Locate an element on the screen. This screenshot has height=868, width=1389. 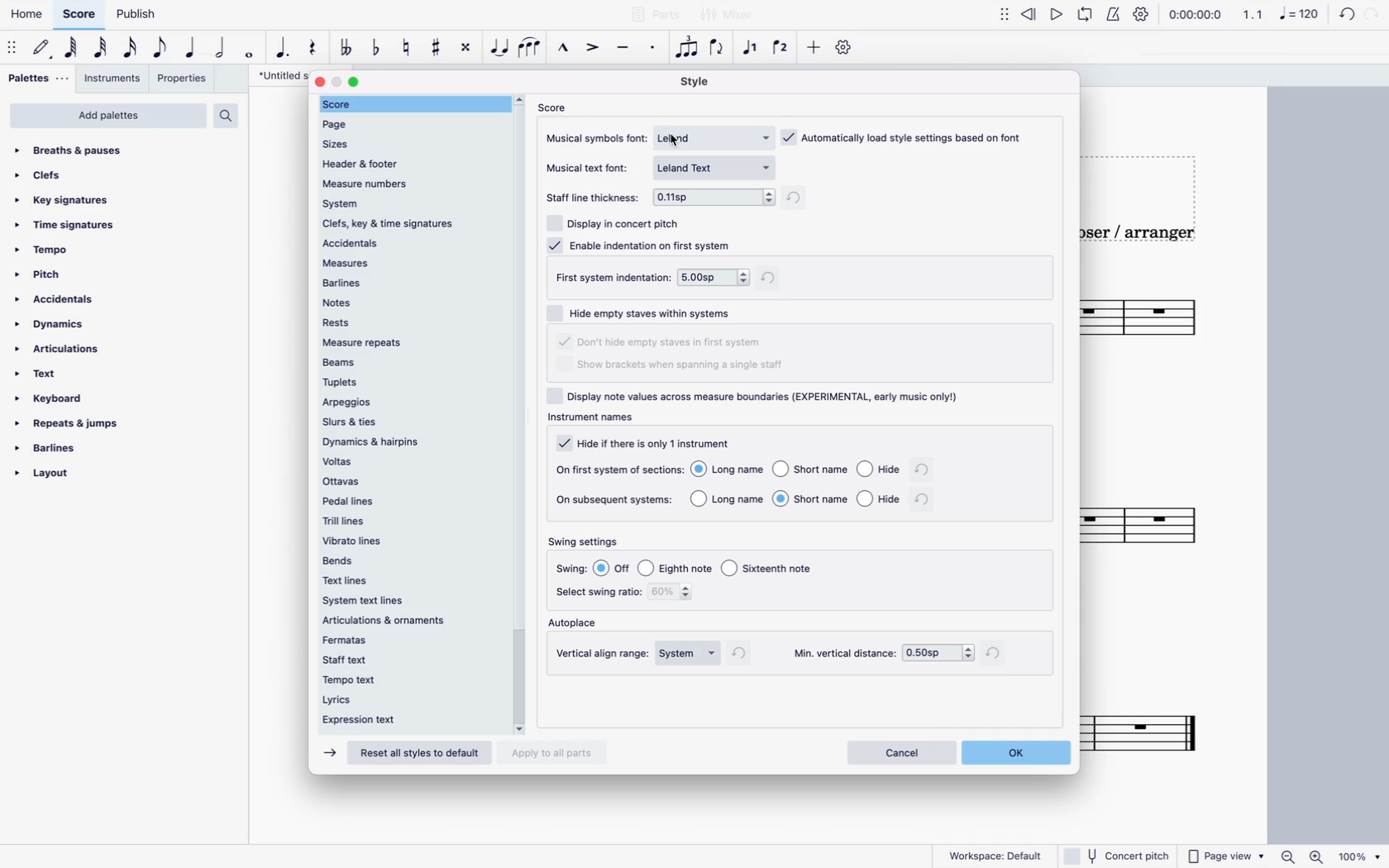
scroll is located at coordinates (523, 414).